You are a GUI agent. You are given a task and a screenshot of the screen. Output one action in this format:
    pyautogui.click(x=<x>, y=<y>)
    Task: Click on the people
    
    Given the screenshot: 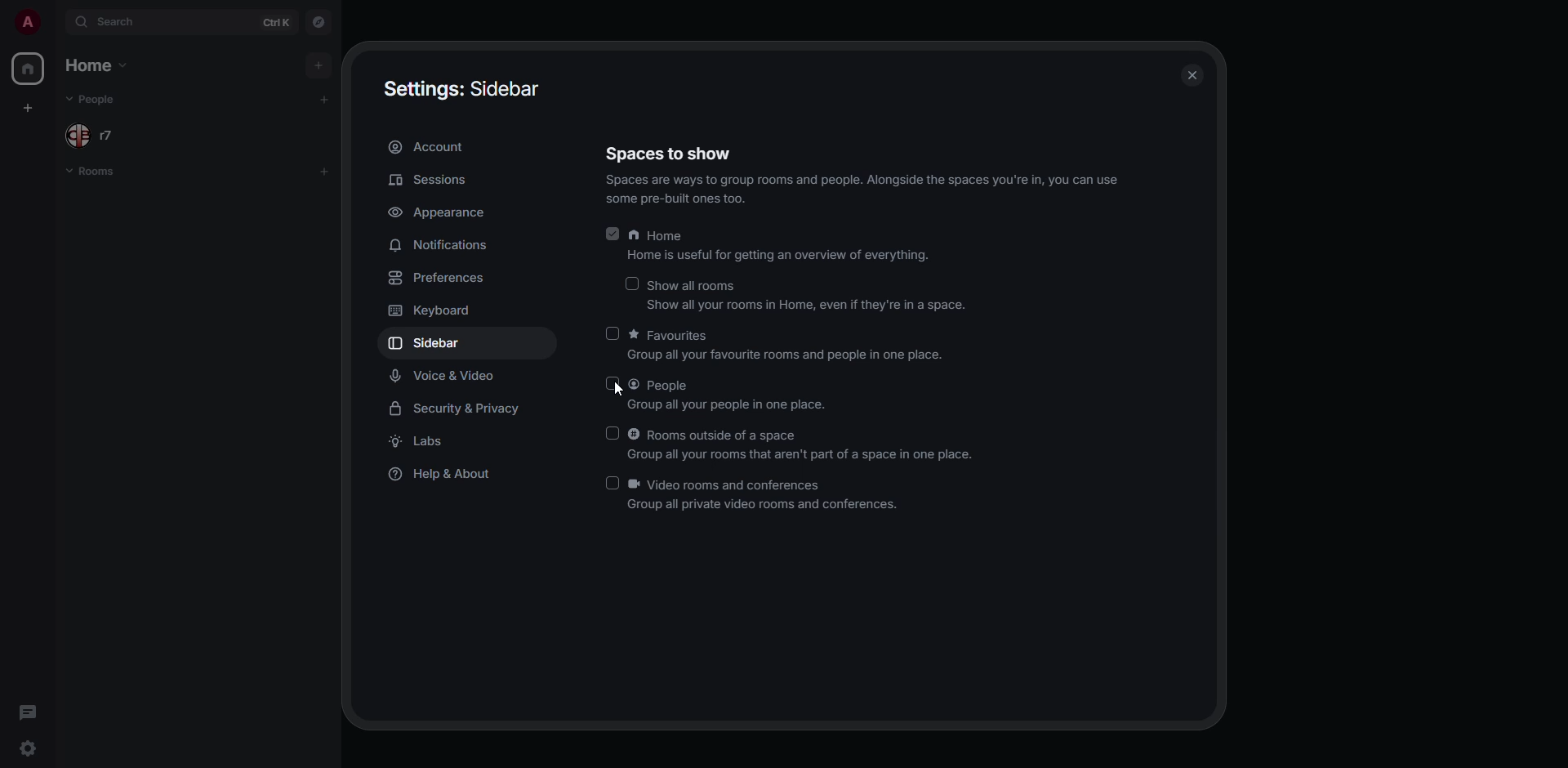 What is the action you would take?
    pyautogui.click(x=100, y=99)
    